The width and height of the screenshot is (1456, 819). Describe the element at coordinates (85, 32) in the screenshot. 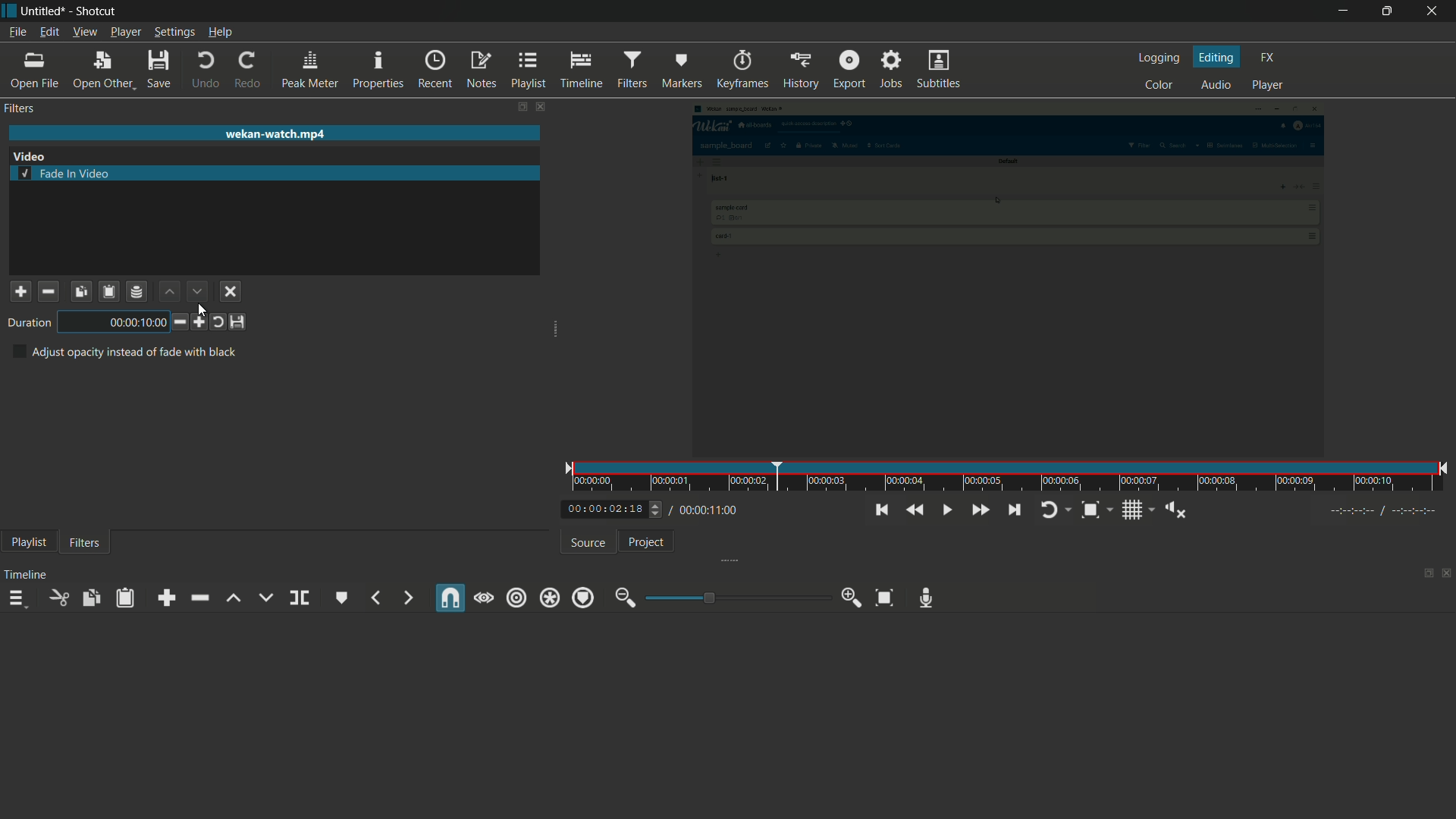

I see `view menu` at that location.